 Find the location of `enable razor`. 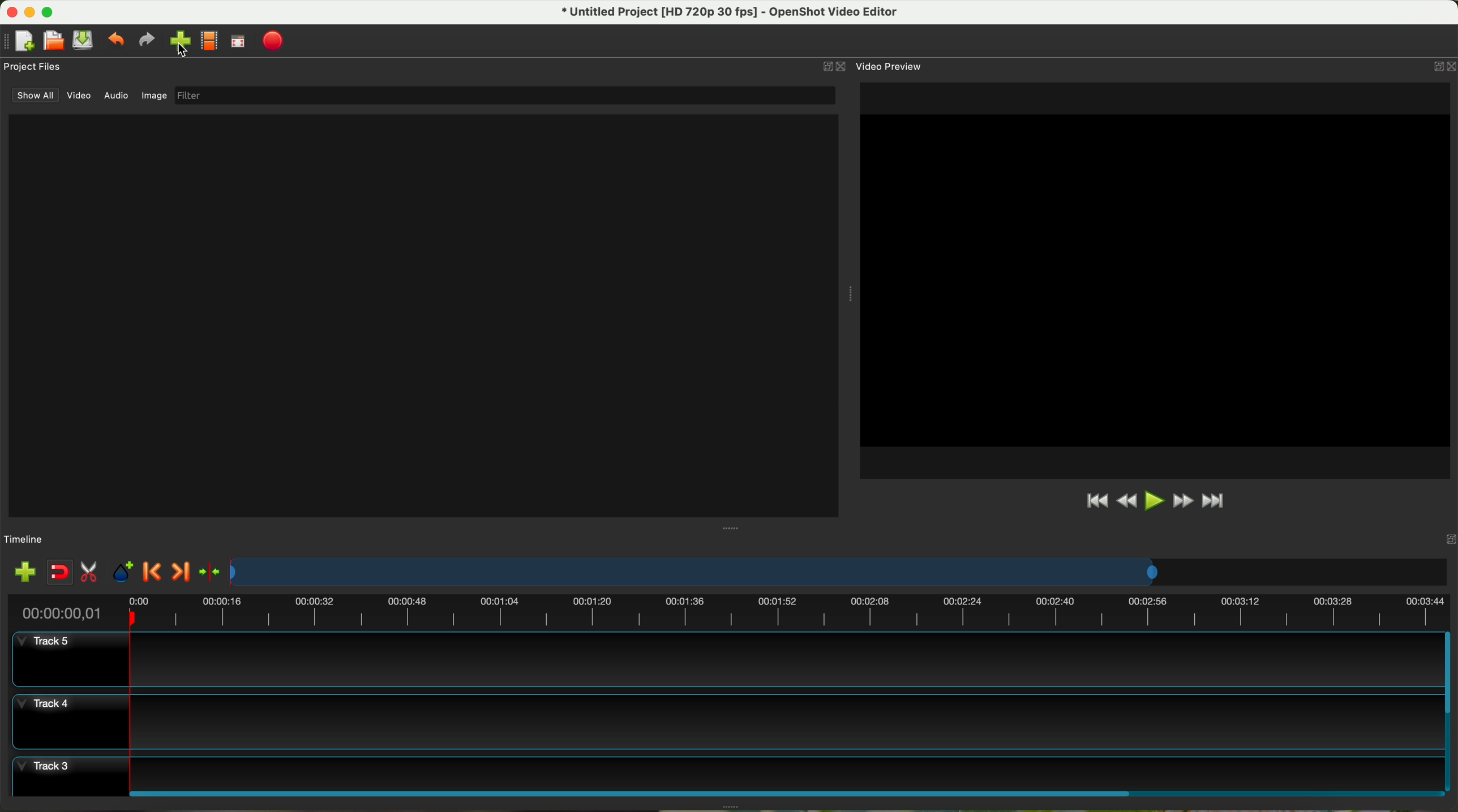

enable razor is located at coordinates (89, 573).